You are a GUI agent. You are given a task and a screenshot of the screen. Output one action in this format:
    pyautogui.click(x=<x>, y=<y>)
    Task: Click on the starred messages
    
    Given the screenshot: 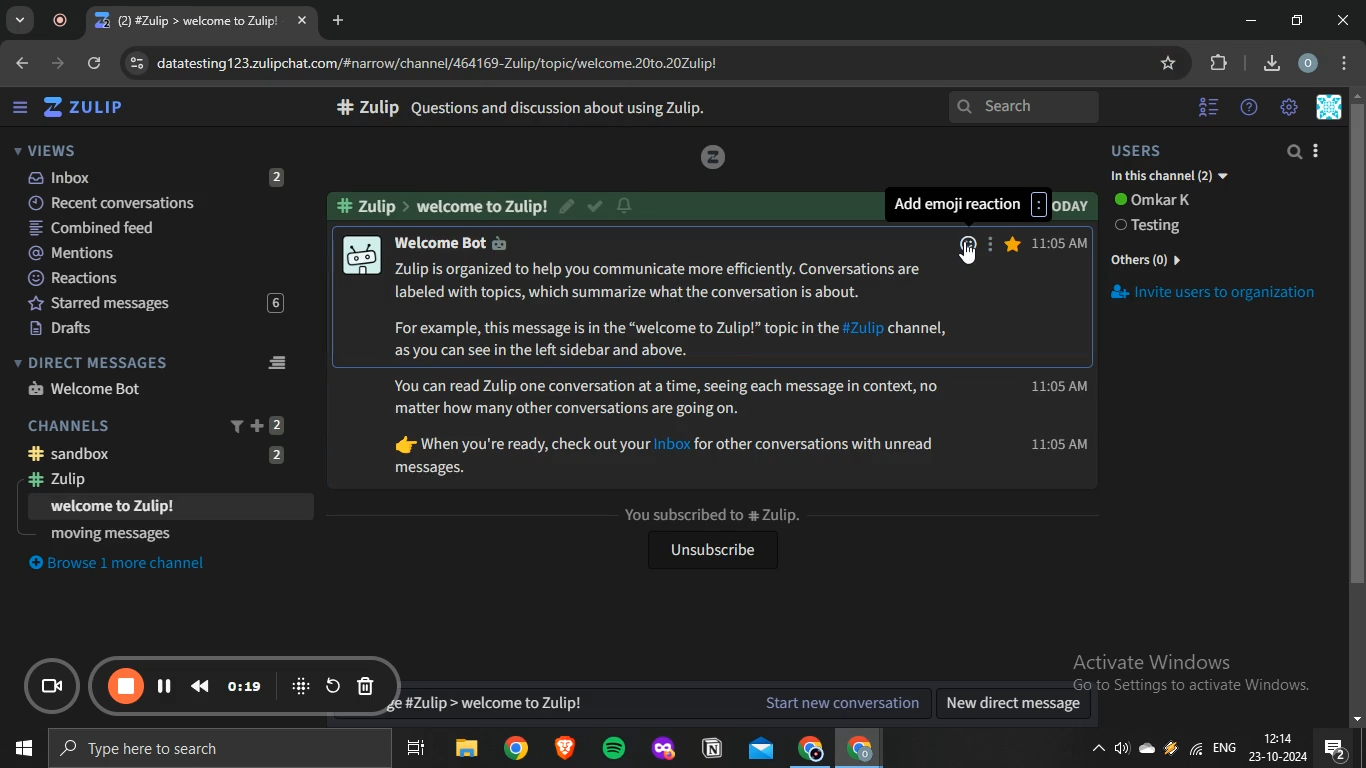 What is the action you would take?
    pyautogui.click(x=1013, y=244)
    